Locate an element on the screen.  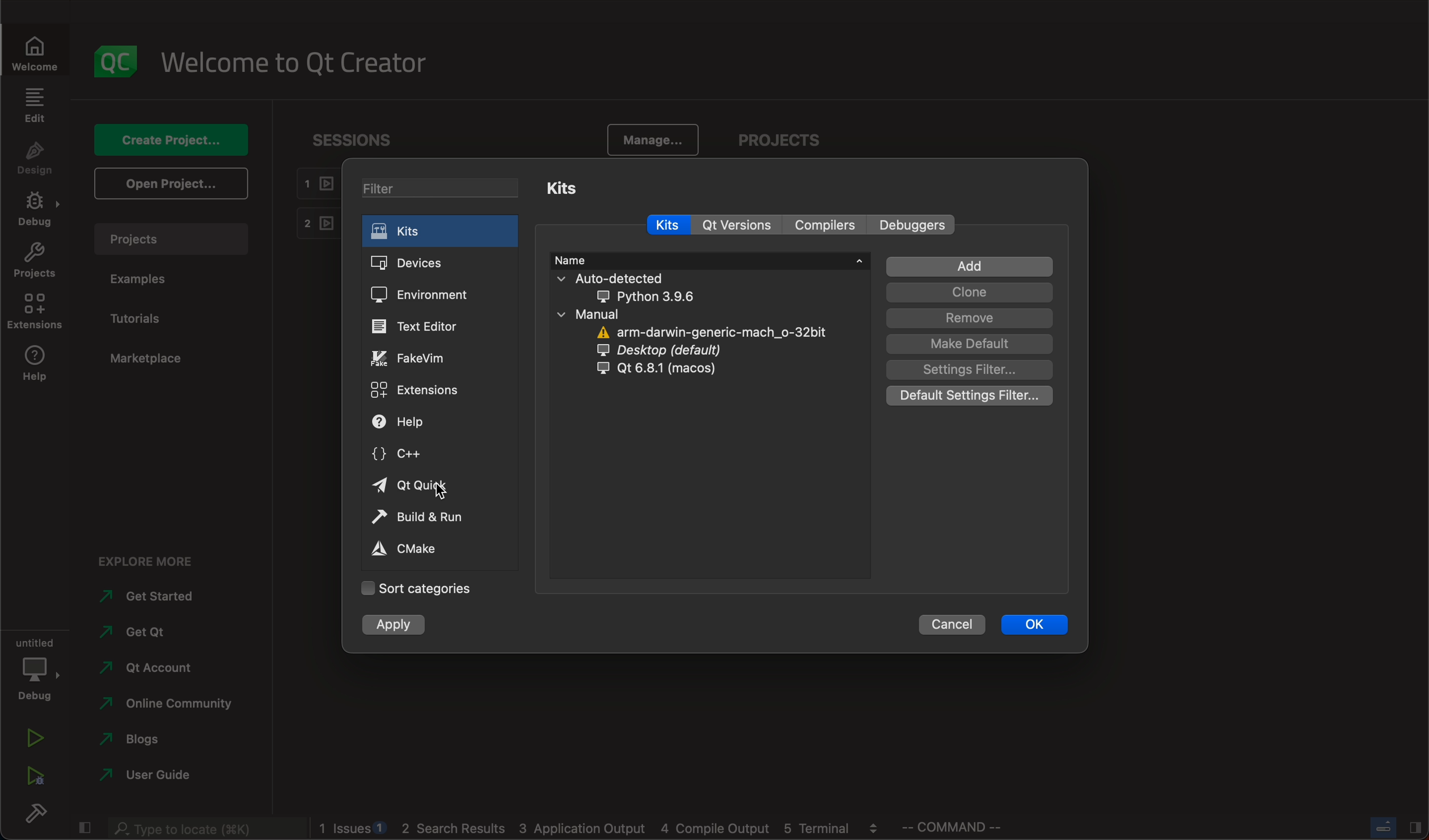
extensions is located at coordinates (418, 392).